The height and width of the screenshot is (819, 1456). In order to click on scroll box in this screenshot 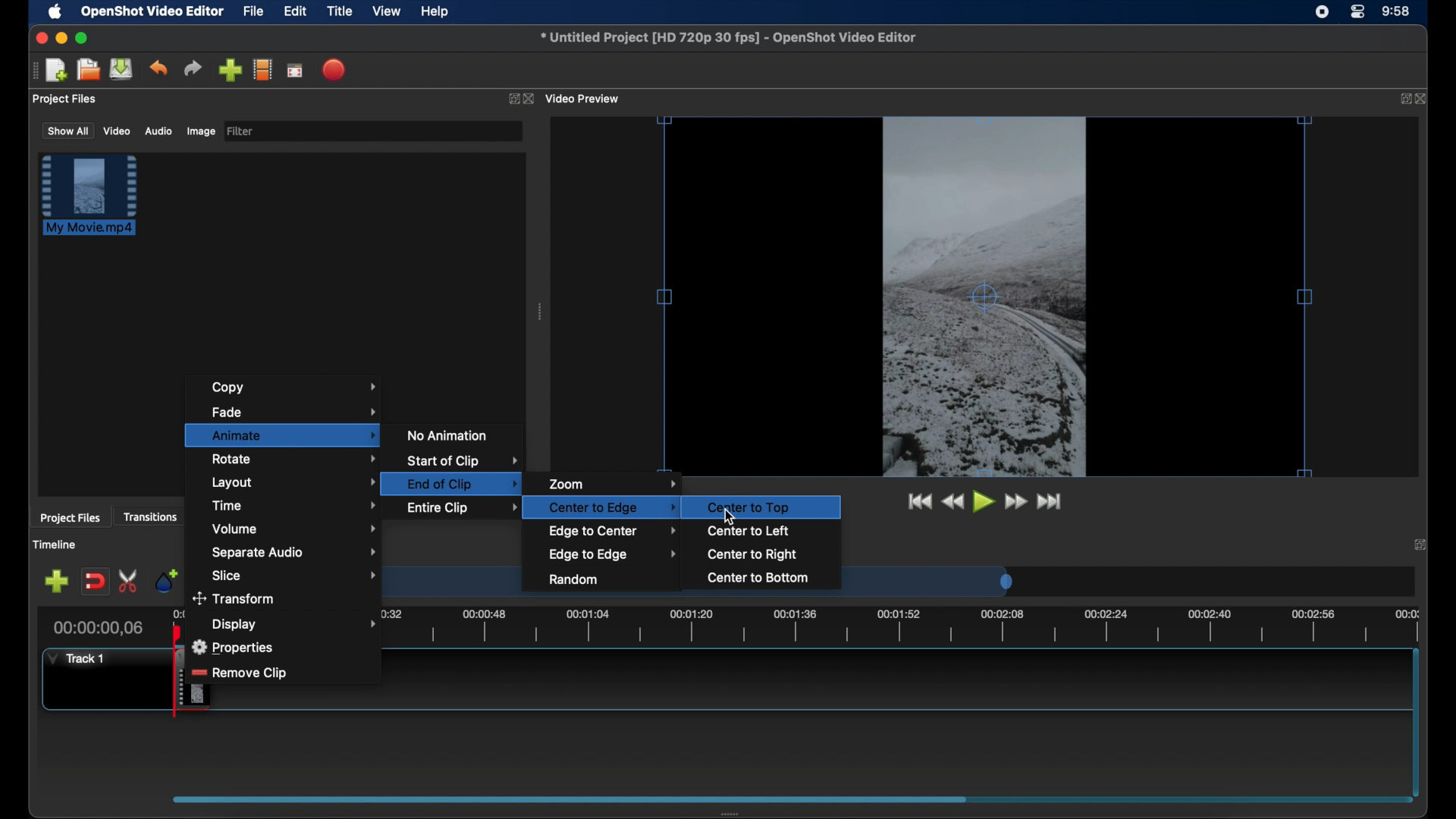, I will do `click(564, 799)`.